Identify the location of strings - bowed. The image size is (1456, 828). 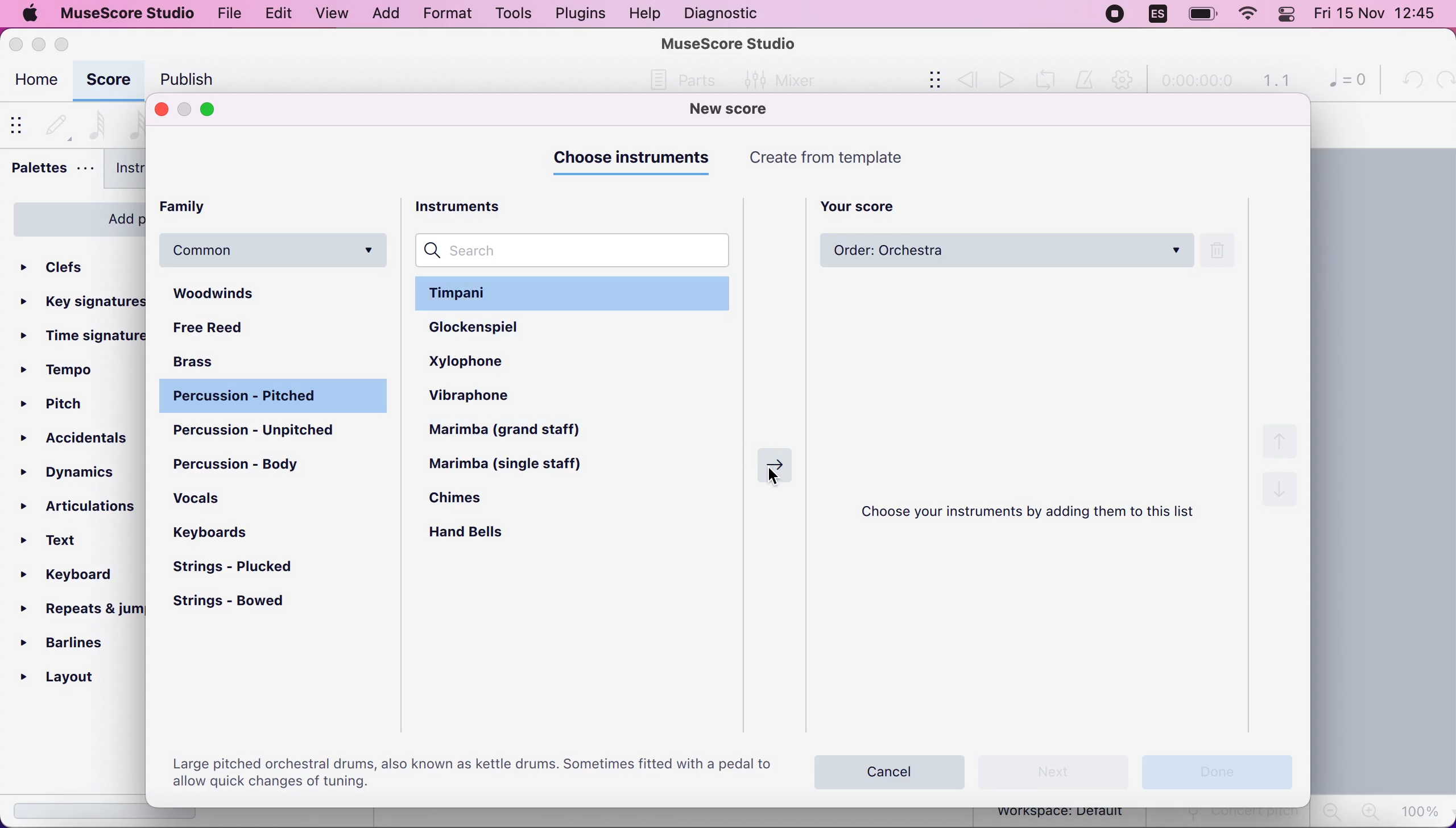
(240, 603).